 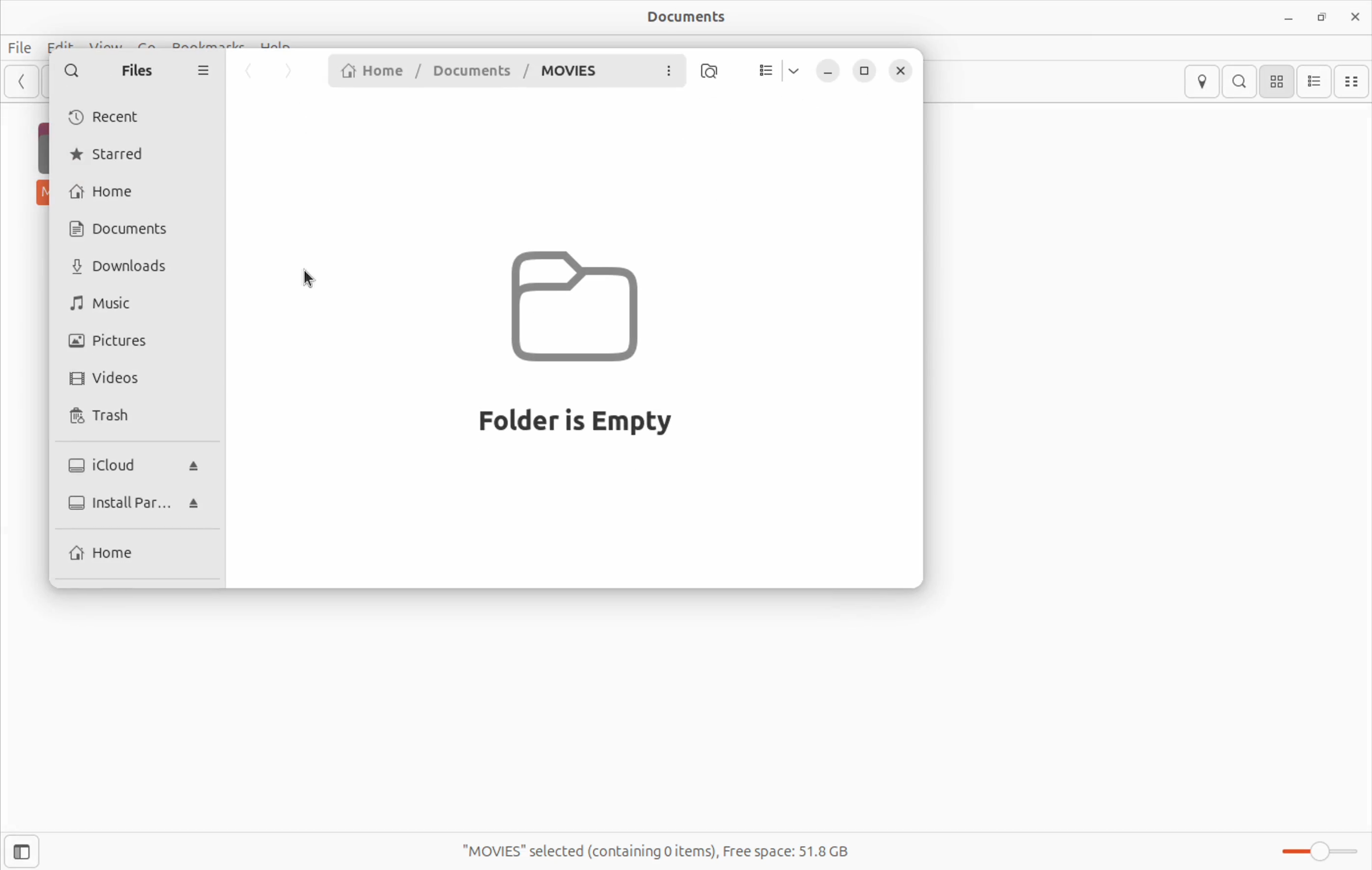 I want to click on search, so click(x=71, y=70).